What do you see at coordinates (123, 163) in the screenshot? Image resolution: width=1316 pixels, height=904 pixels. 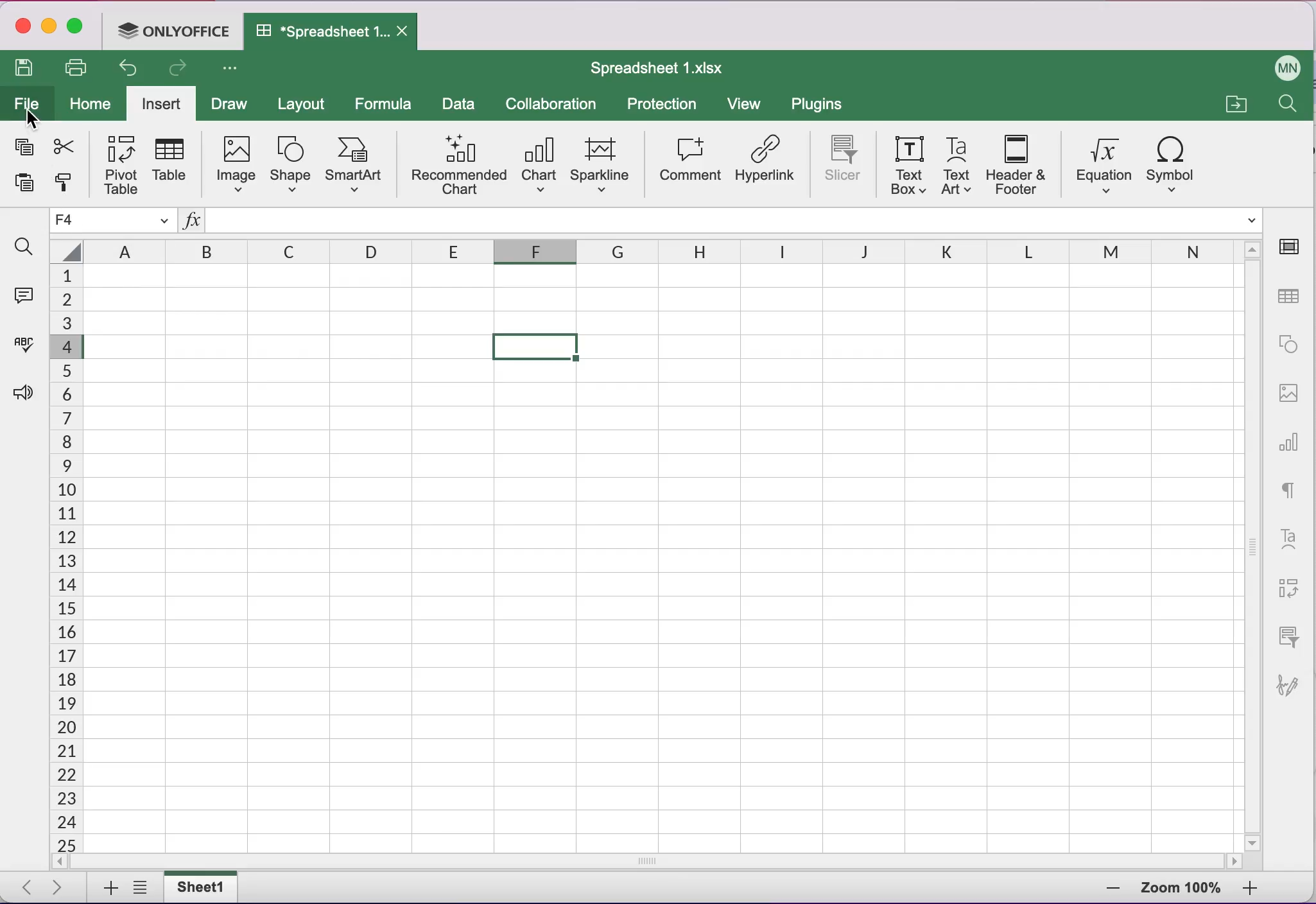 I see `pivot table` at bounding box center [123, 163].